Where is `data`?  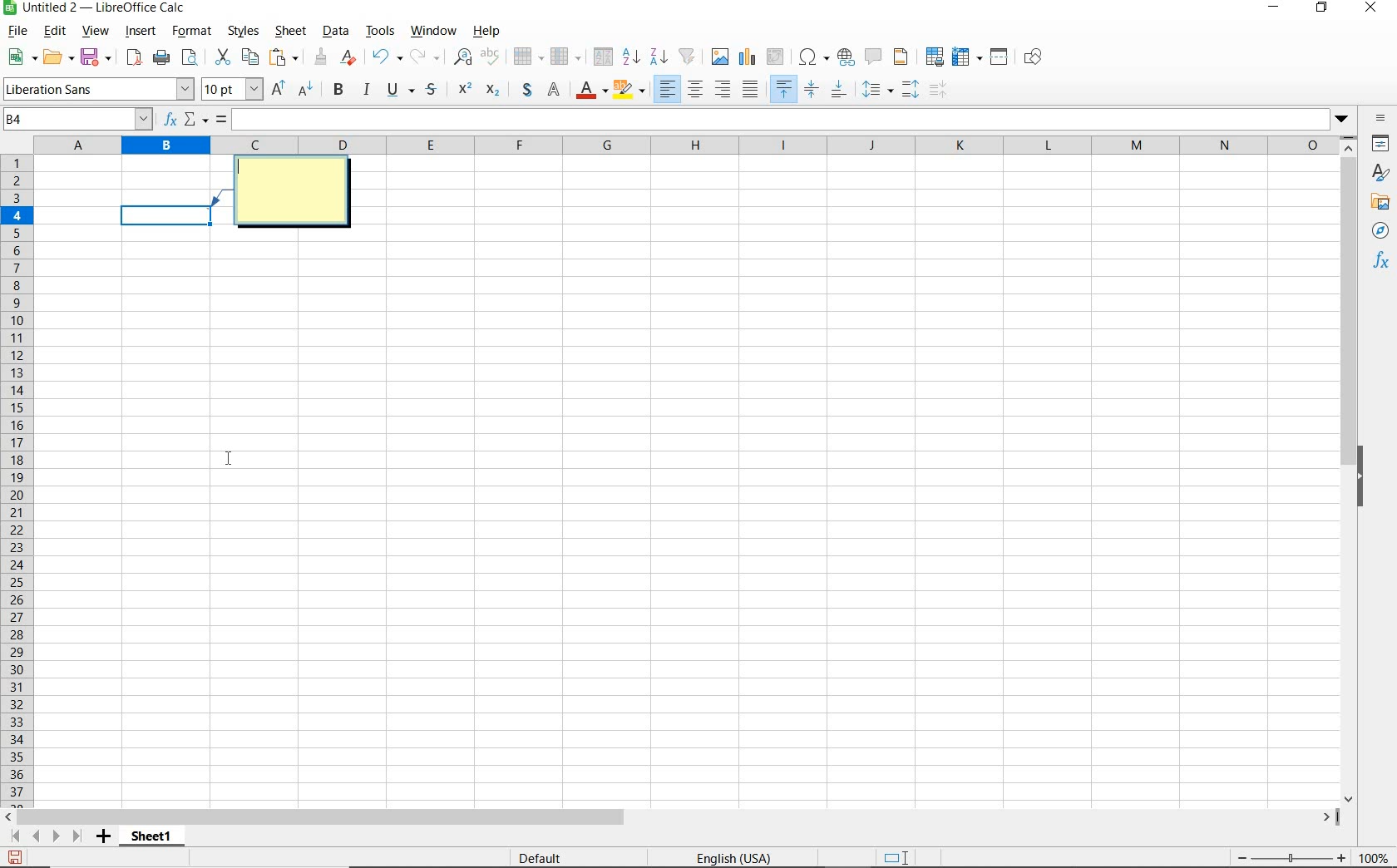 data is located at coordinates (336, 33).